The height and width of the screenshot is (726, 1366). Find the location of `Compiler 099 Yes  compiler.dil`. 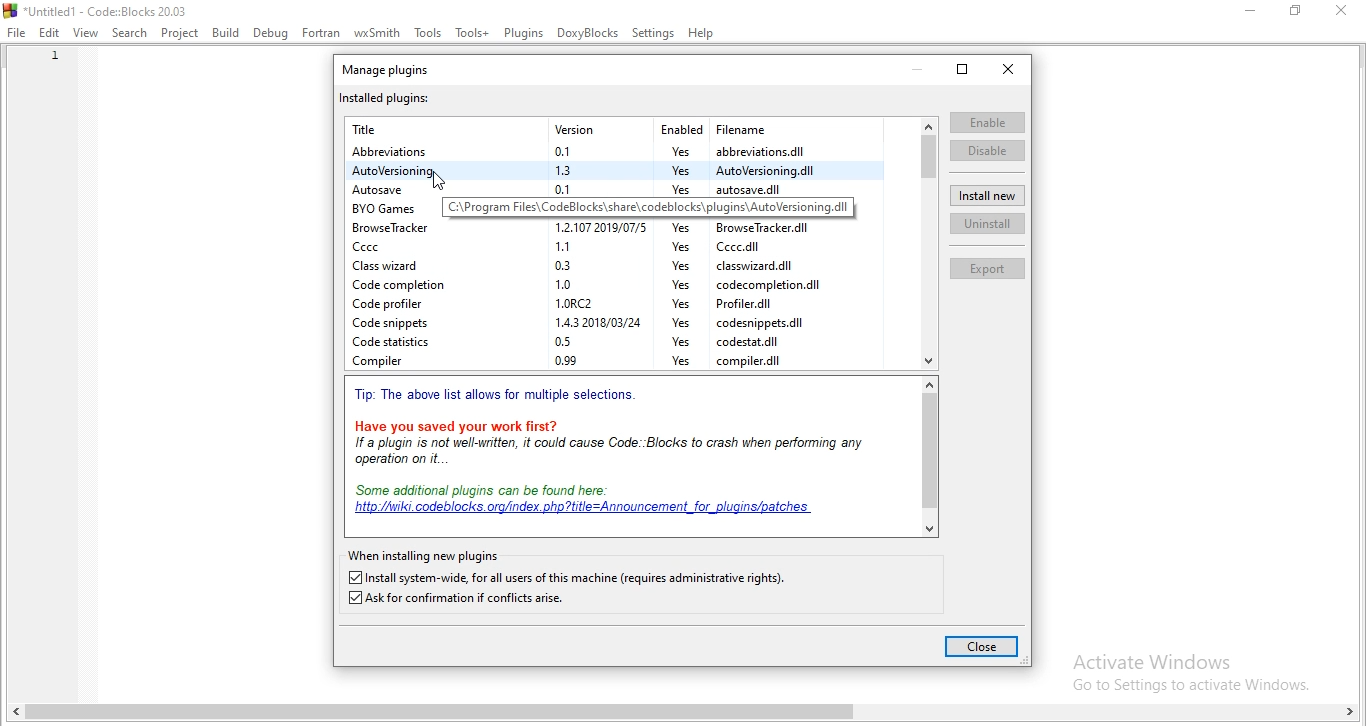

Compiler 099 Yes  compiler.dil is located at coordinates (588, 362).